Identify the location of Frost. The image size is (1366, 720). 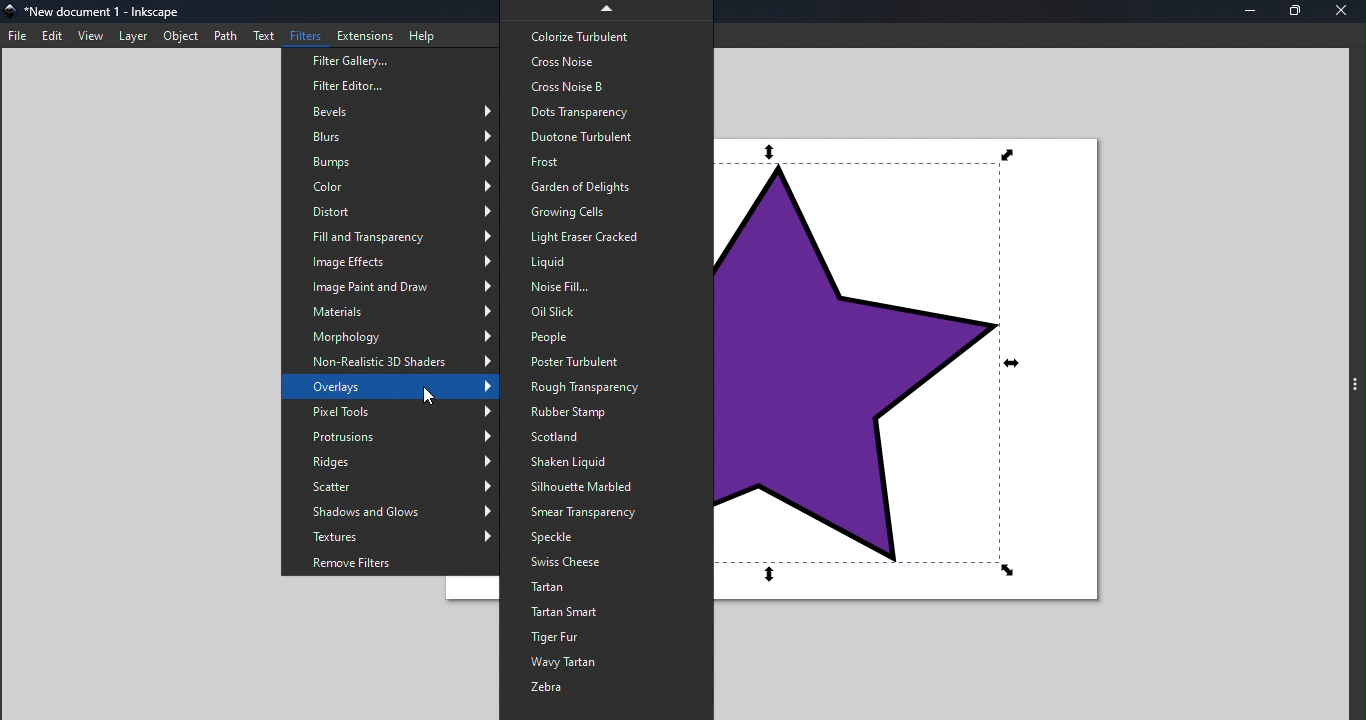
(605, 163).